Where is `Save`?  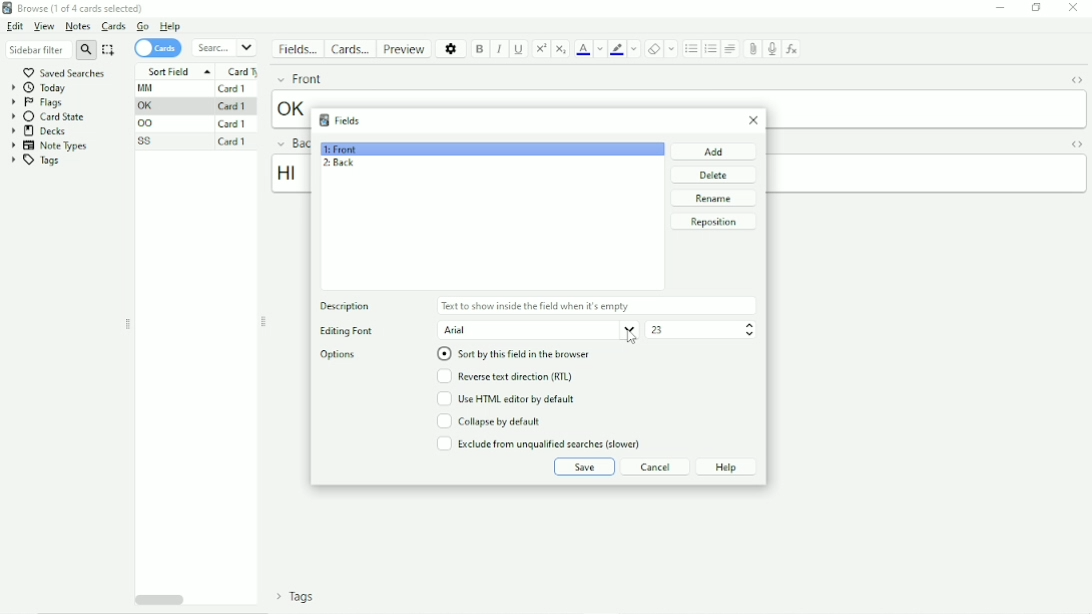
Save is located at coordinates (584, 466).